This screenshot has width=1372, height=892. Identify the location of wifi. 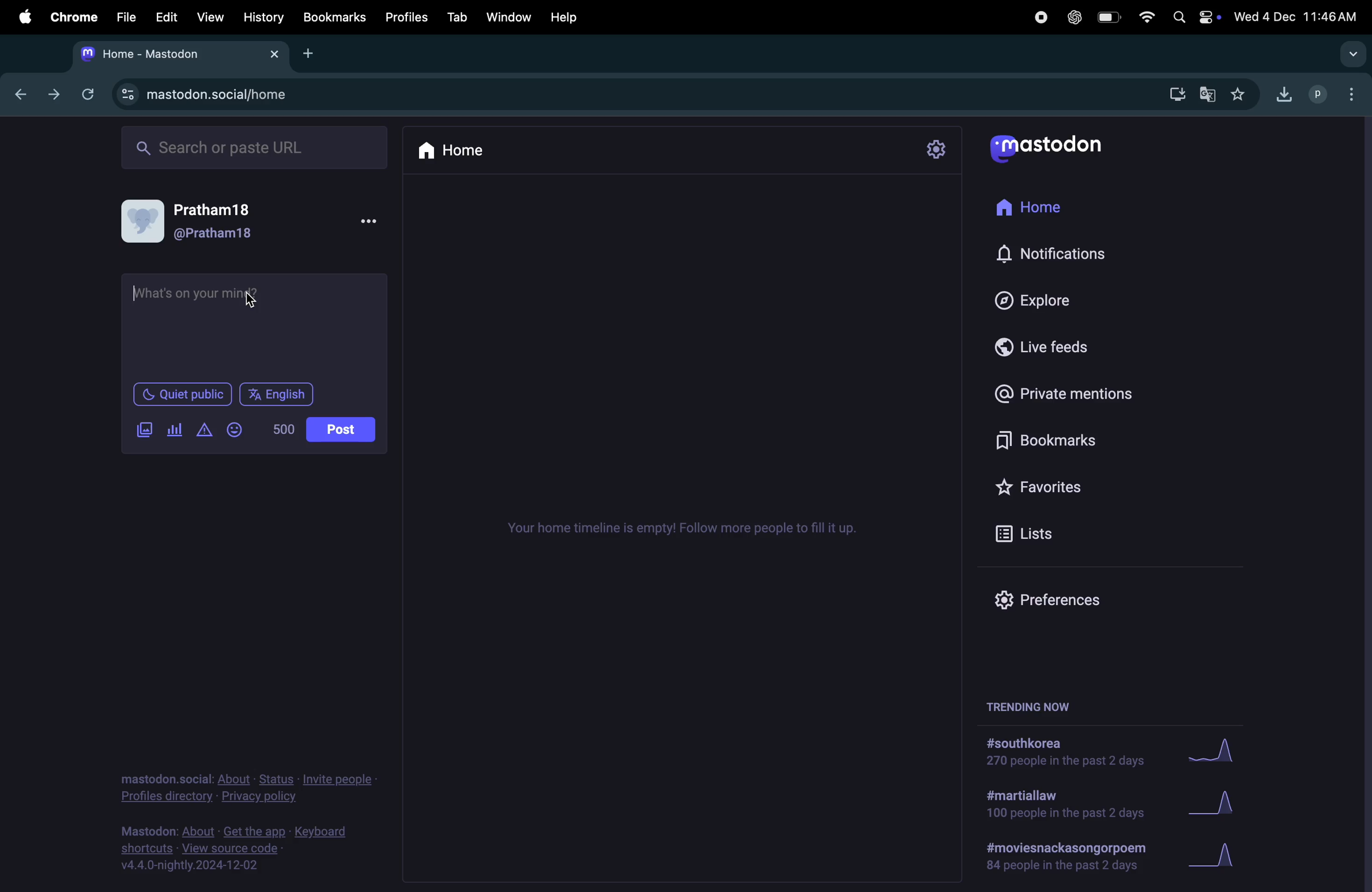
(1145, 16).